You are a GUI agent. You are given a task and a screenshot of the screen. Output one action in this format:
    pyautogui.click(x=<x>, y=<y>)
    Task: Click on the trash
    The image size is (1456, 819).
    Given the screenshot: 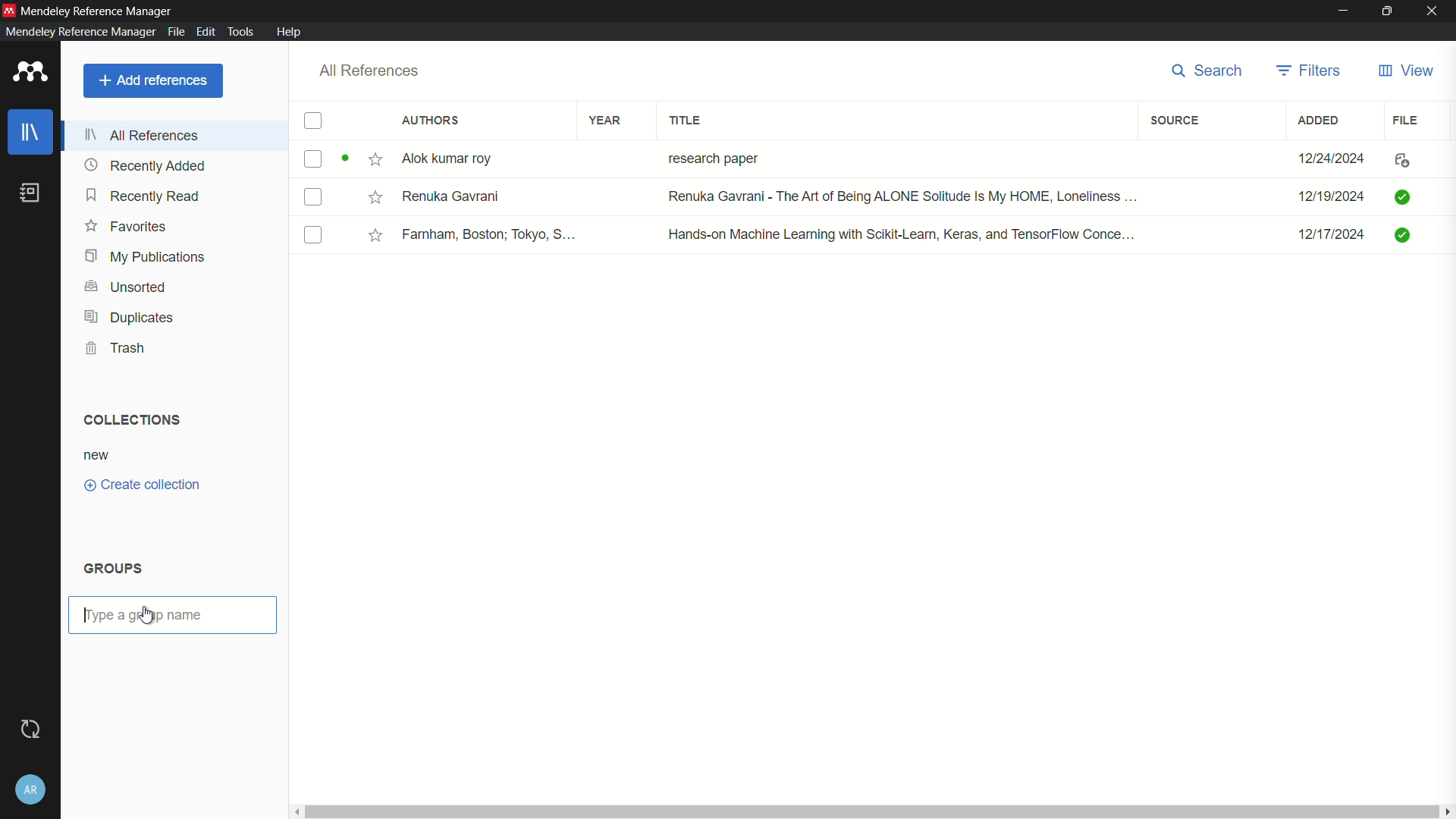 What is the action you would take?
    pyautogui.click(x=119, y=348)
    